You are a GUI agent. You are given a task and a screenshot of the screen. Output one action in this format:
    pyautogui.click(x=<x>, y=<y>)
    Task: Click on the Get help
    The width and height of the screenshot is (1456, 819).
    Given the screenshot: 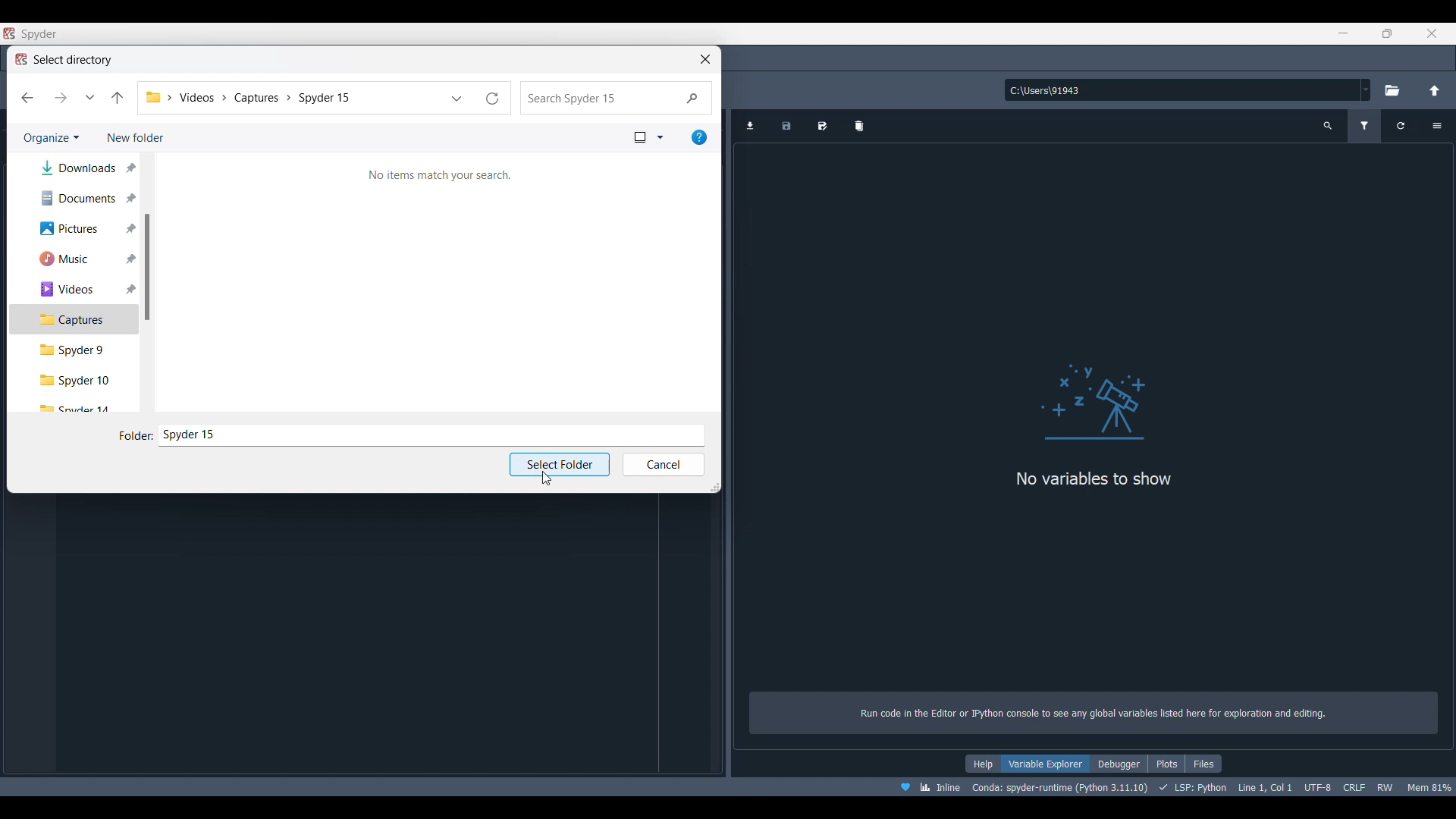 What is the action you would take?
    pyautogui.click(x=699, y=137)
    